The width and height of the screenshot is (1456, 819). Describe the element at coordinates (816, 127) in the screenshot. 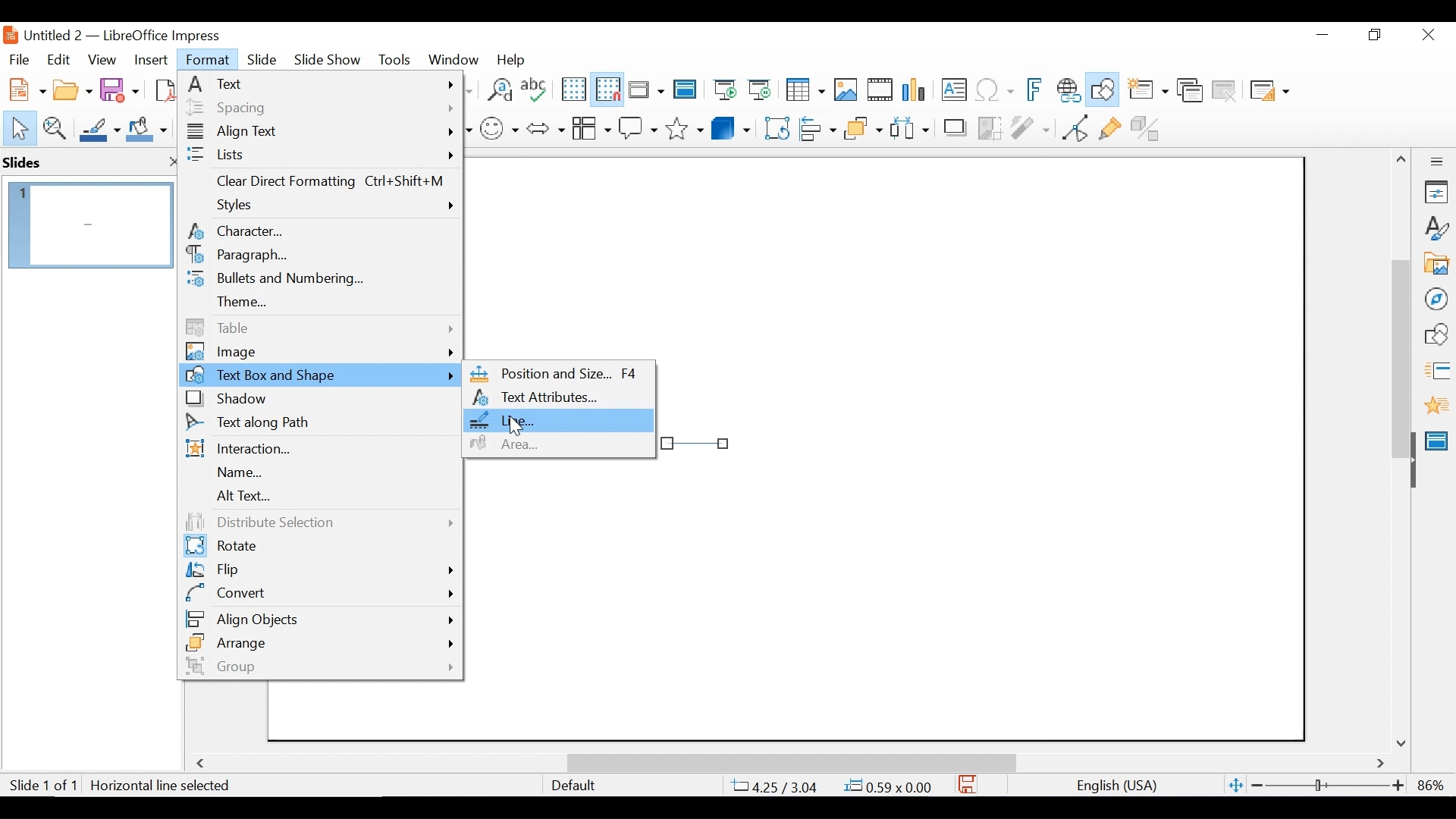

I see `Align Objects` at that location.